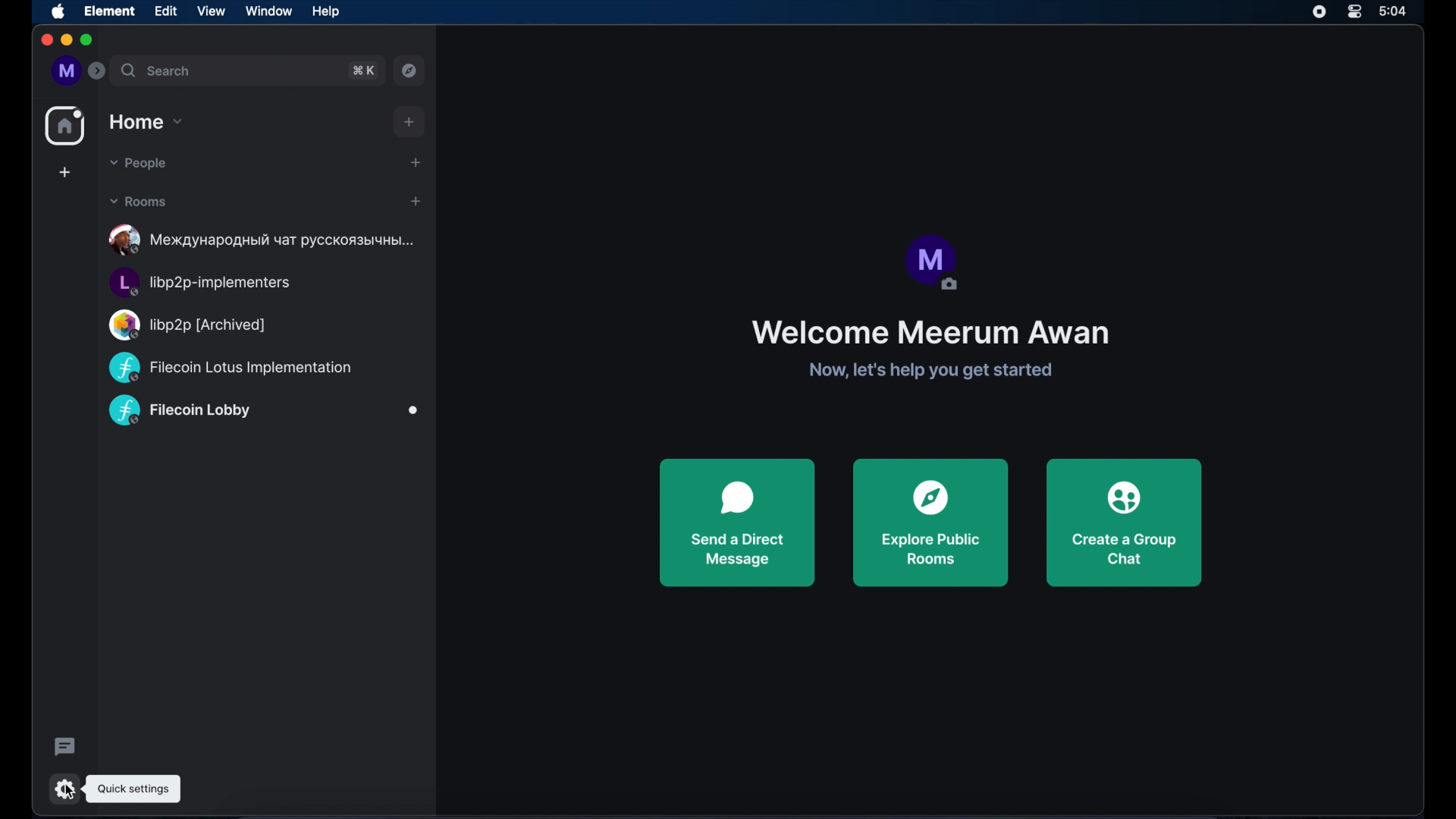 Image resolution: width=1456 pixels, height=819 pixels. What do you see at coordinates (139, 202) in the screenshot?
I see `rooms dropdown` at bounding box center [139, 202].